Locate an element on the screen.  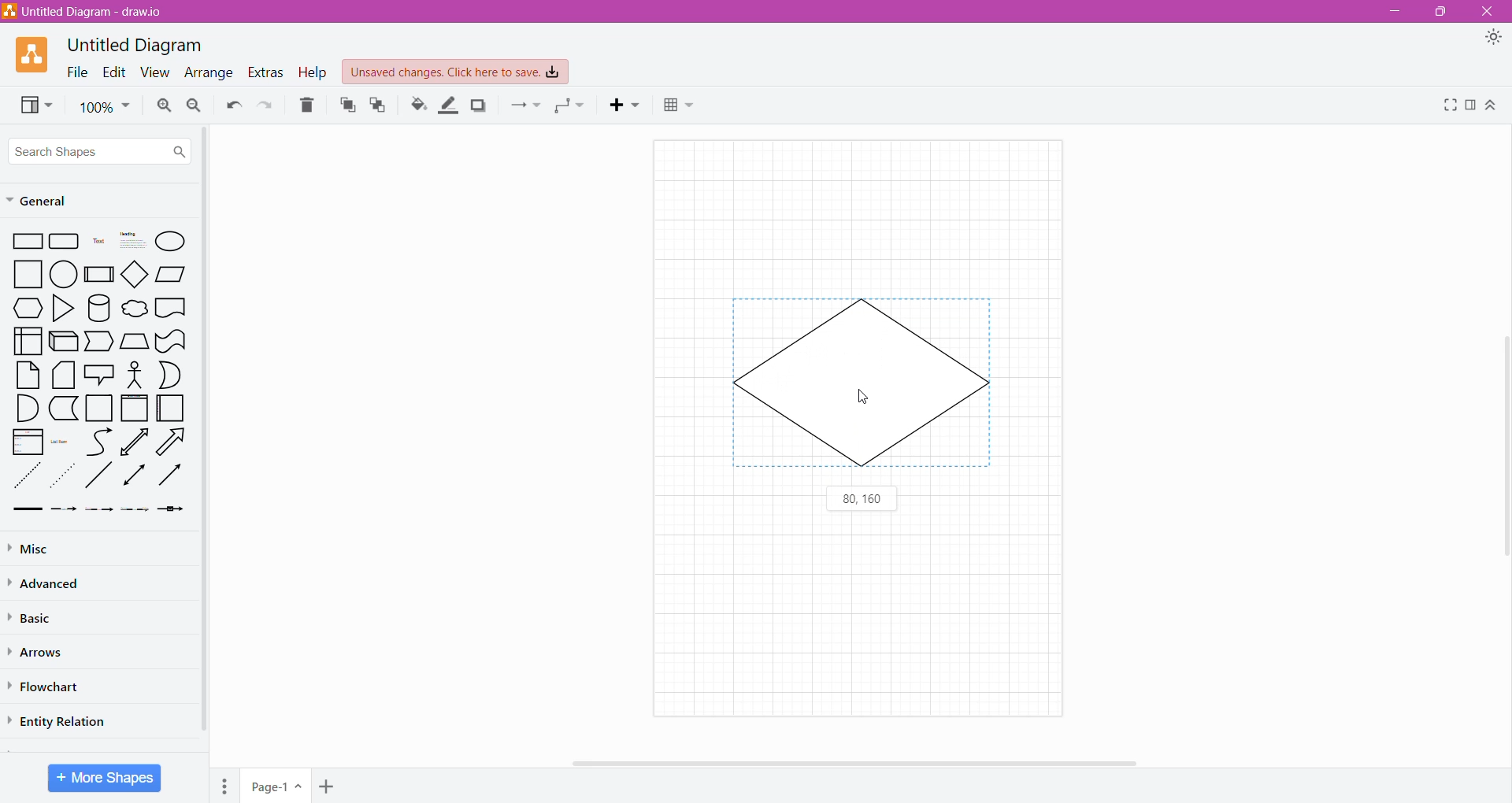
Unsaved Changes. Click here to save is located at coordinates (456, 72).